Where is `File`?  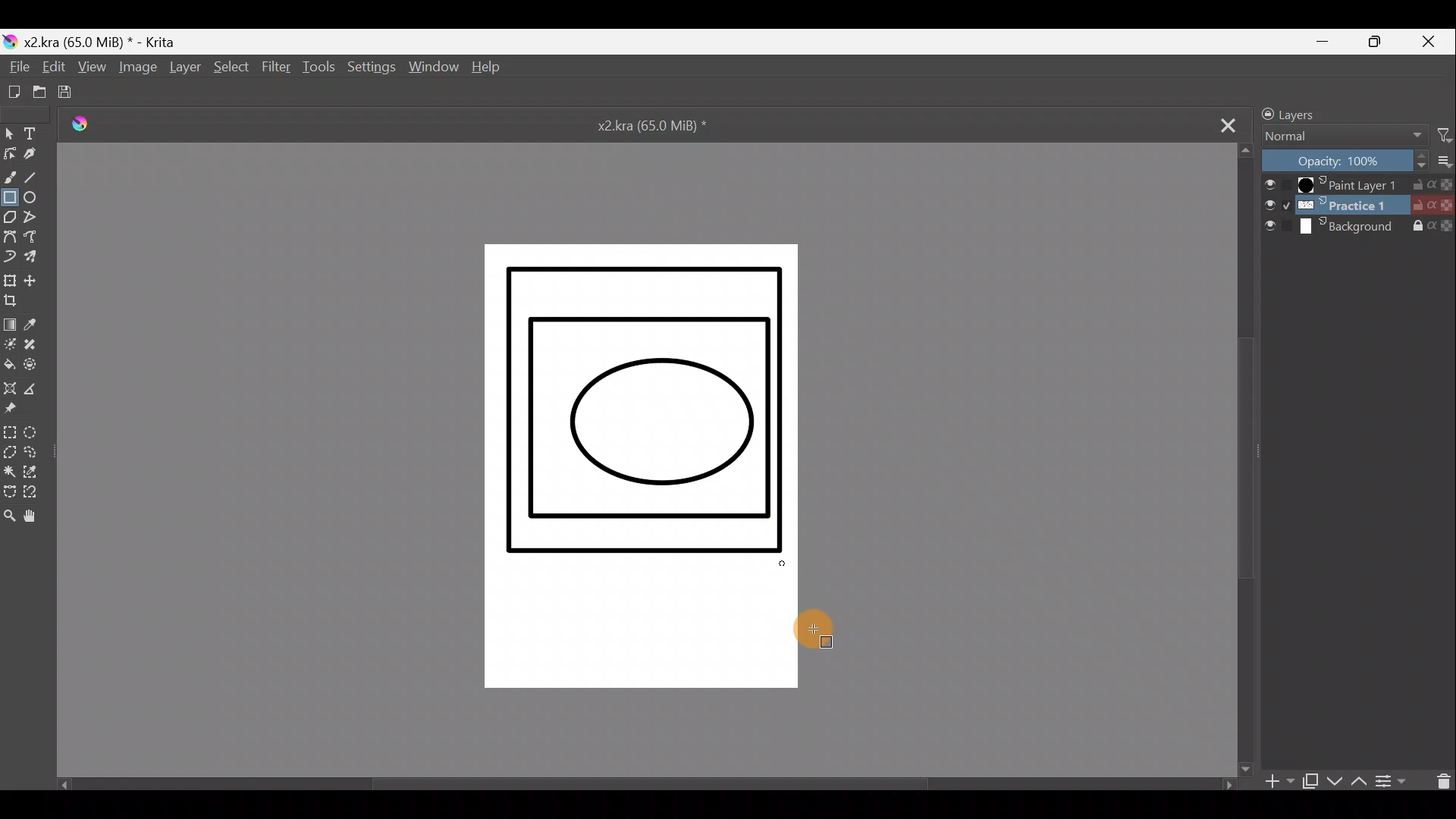
File is located at coordinates (15, 65).